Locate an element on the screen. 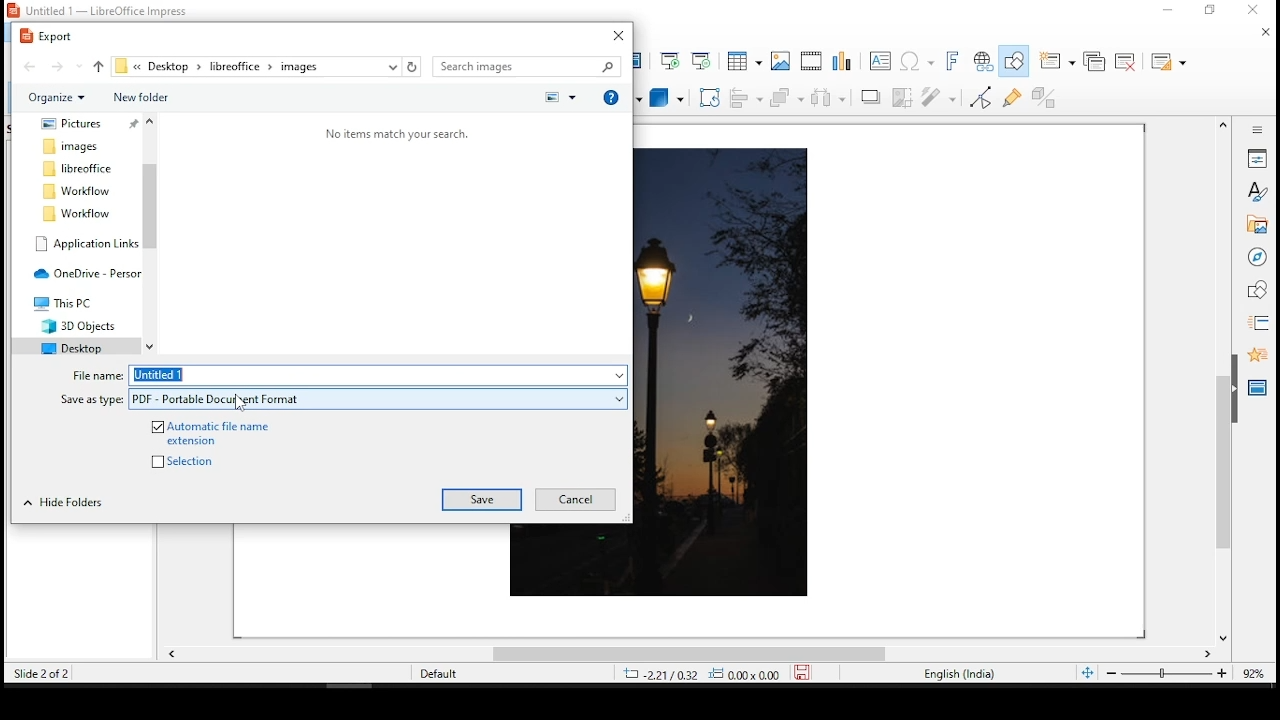 Image resolution: width=1280 pixels, height=720 pixels. start from current slide is located at coordinates (703, 59).